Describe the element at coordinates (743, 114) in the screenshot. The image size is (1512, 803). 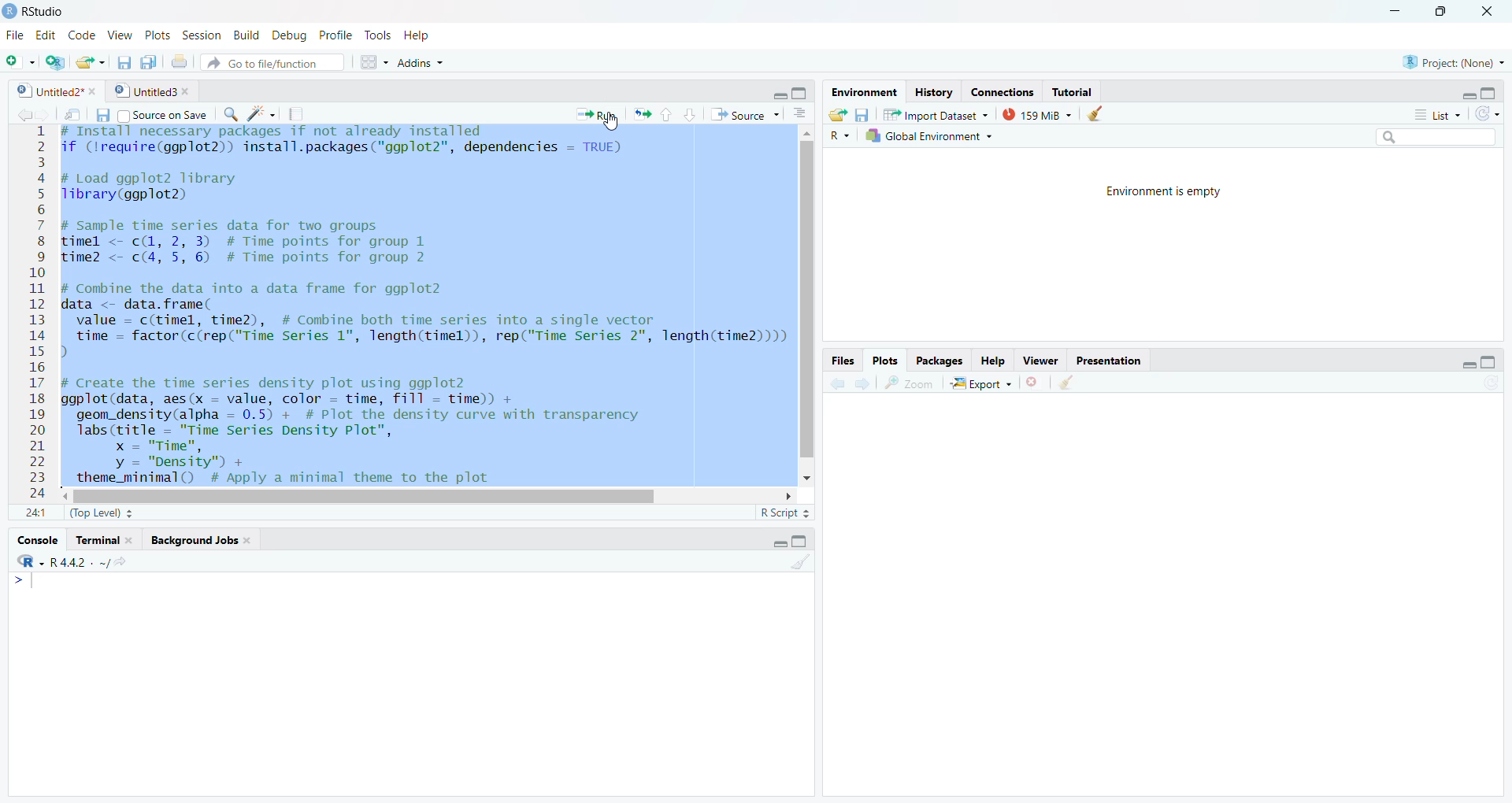
I see `Source` at that location.